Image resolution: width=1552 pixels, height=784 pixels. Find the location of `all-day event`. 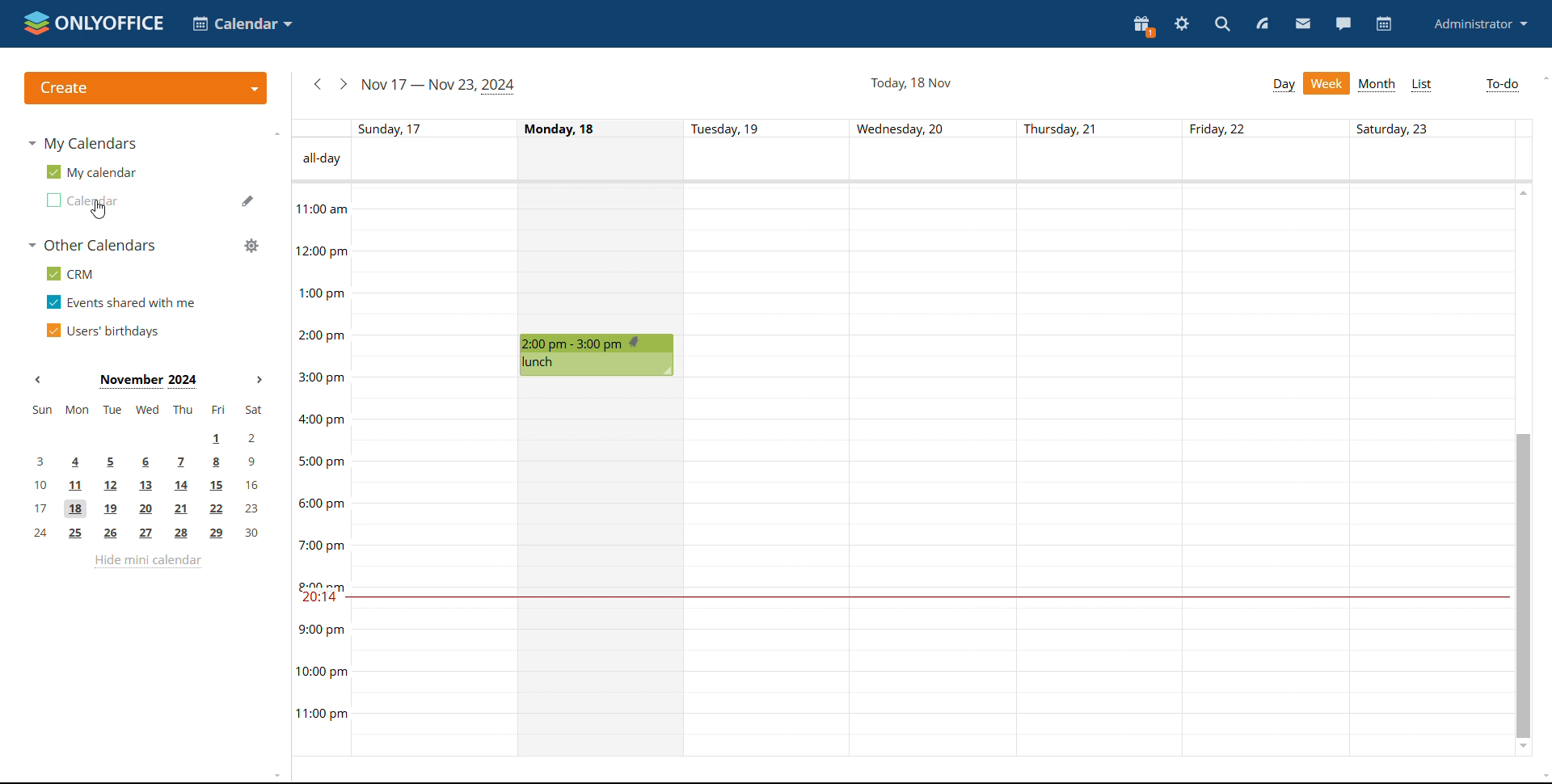

all-day event is located at coordinates (941, 161).